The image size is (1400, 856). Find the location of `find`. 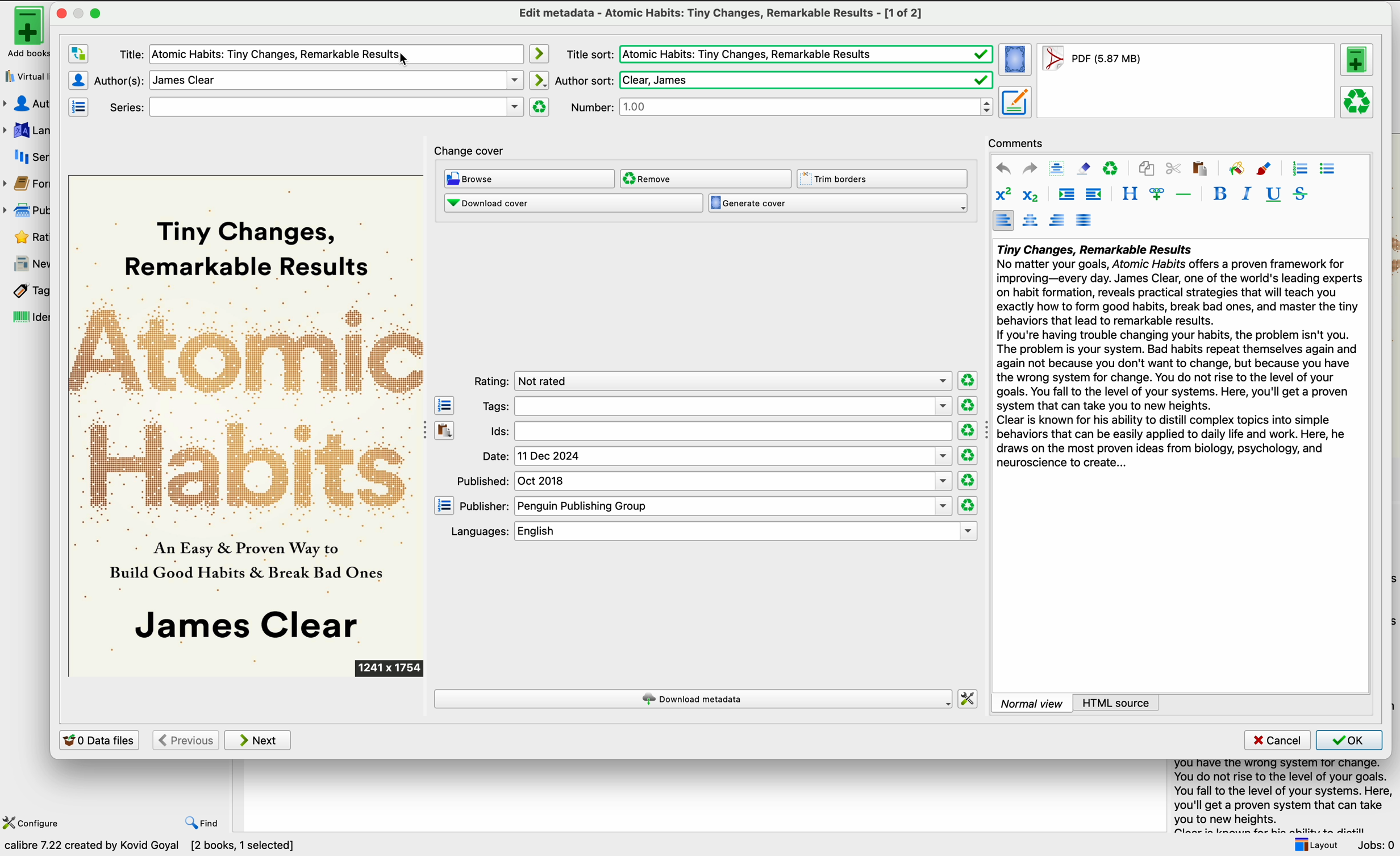

find is located at coordinates (203, 824).